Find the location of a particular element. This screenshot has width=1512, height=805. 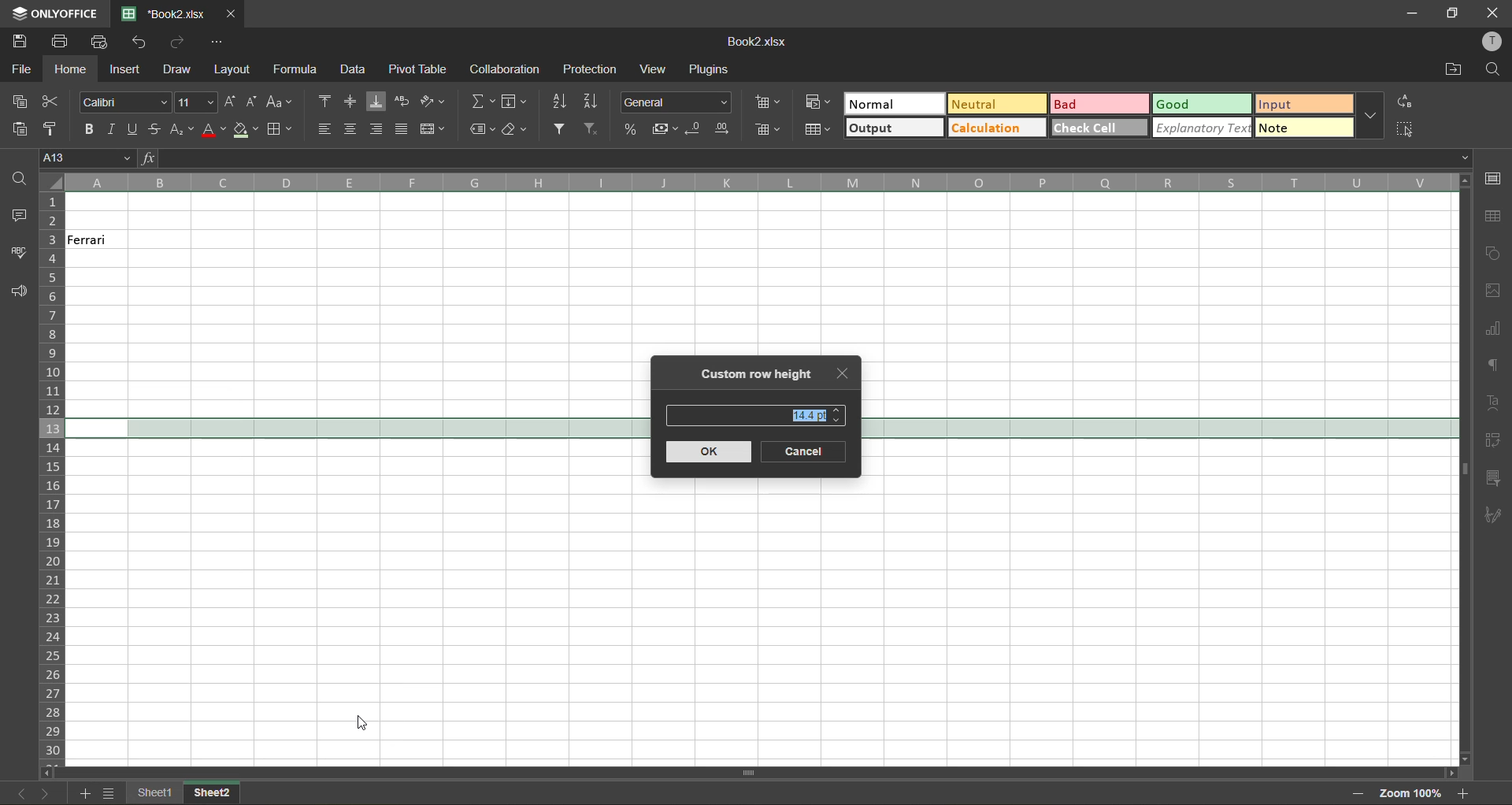

charts is located at coordinates (1496, 331).